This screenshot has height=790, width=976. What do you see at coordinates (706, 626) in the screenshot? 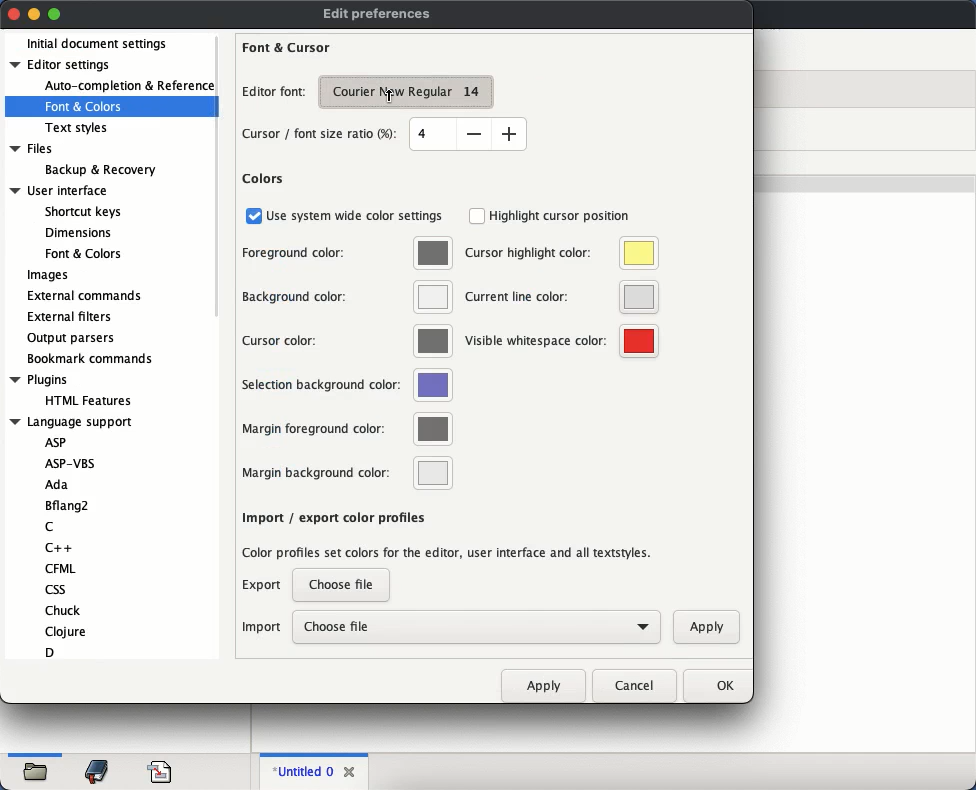
I see `apply` at bounding box center [706, 626].